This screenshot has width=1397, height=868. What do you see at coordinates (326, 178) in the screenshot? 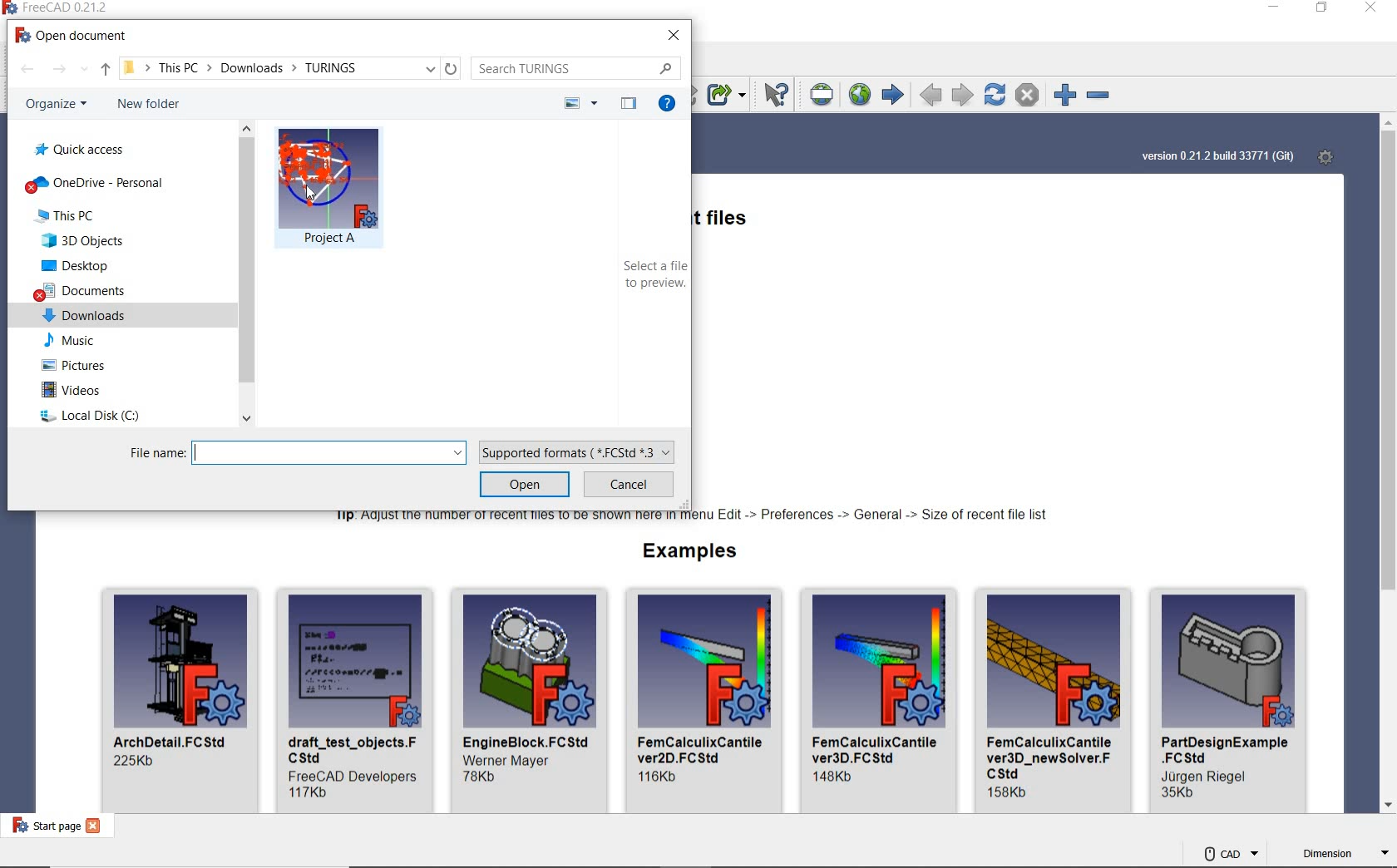
I see `image` at bounding box center [326, 178].